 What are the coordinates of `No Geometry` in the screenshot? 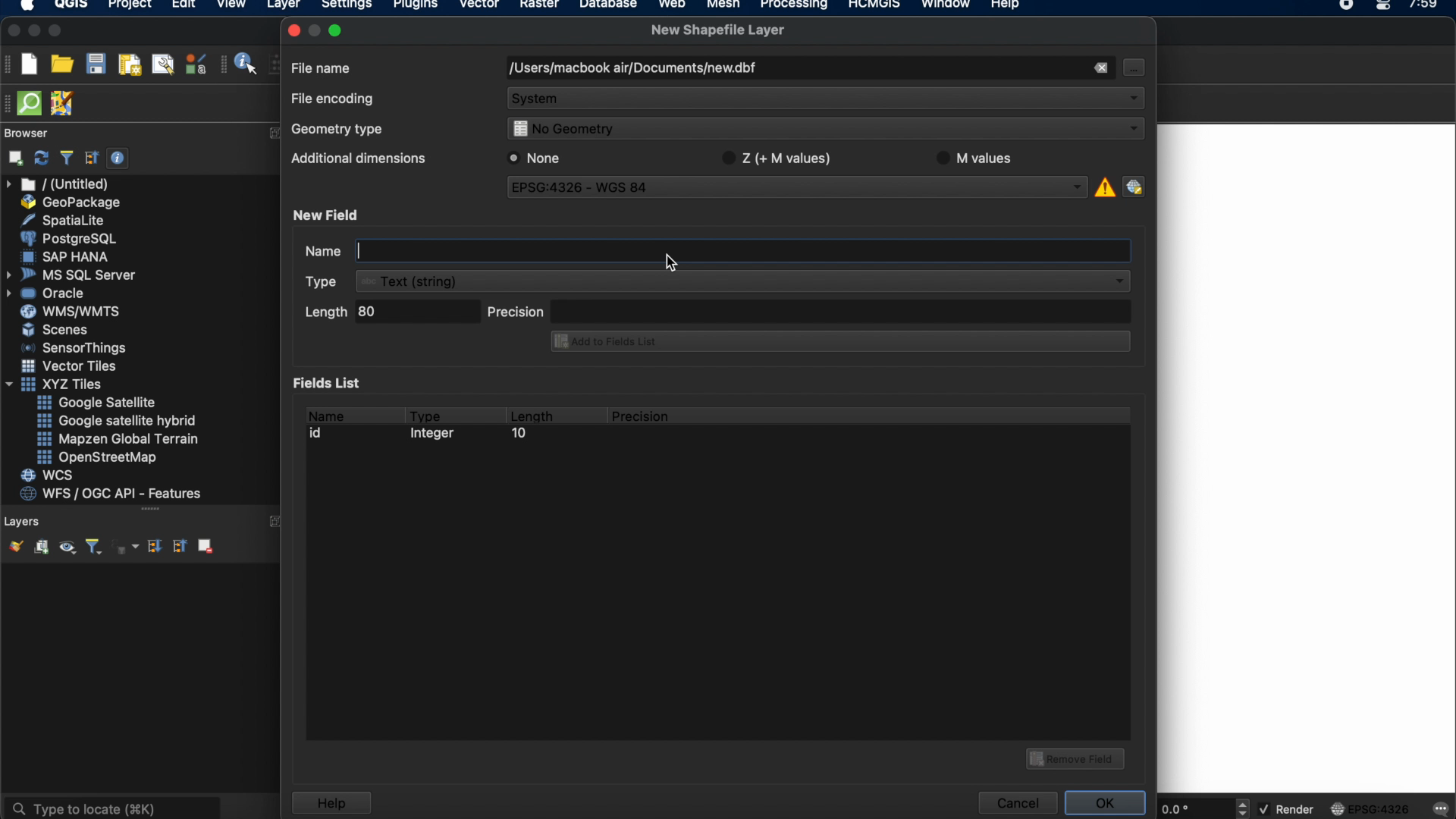 It's located at (822, 130).